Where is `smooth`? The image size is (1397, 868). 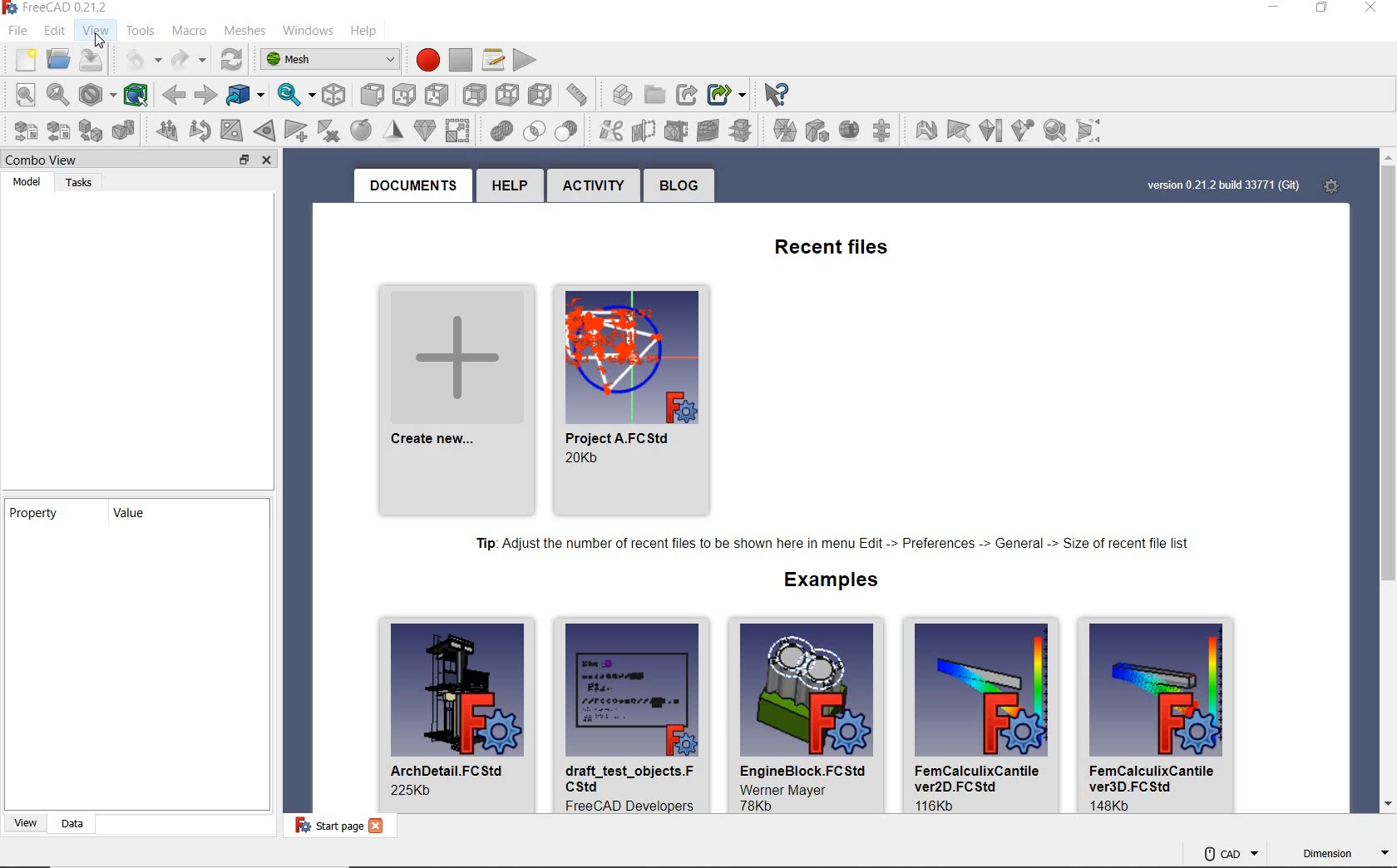
smooth is located at coordinates (363, 130).